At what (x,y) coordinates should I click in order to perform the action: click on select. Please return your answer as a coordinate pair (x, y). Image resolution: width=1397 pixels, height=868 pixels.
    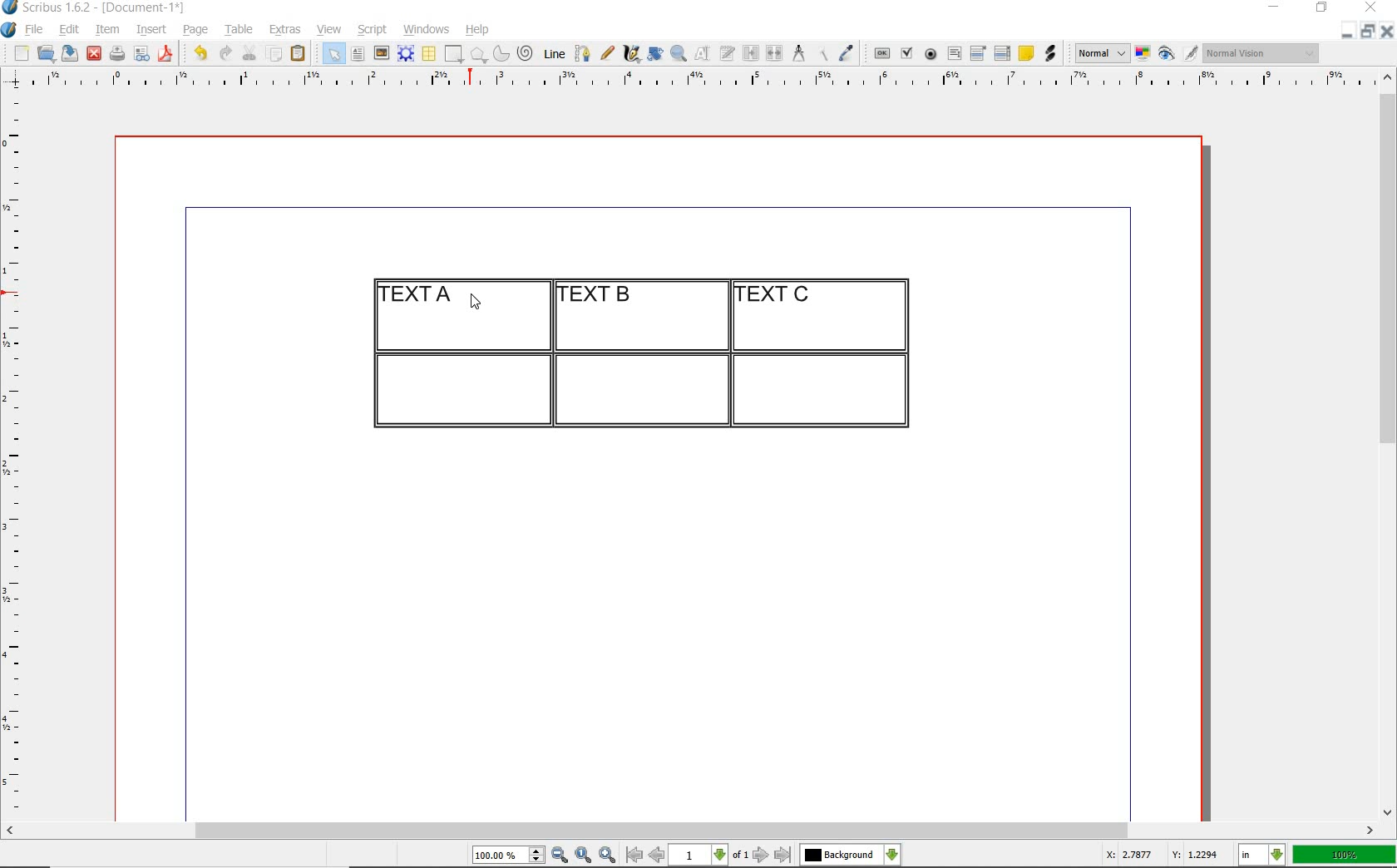
    Looking at the image, I should click on (334, 55).